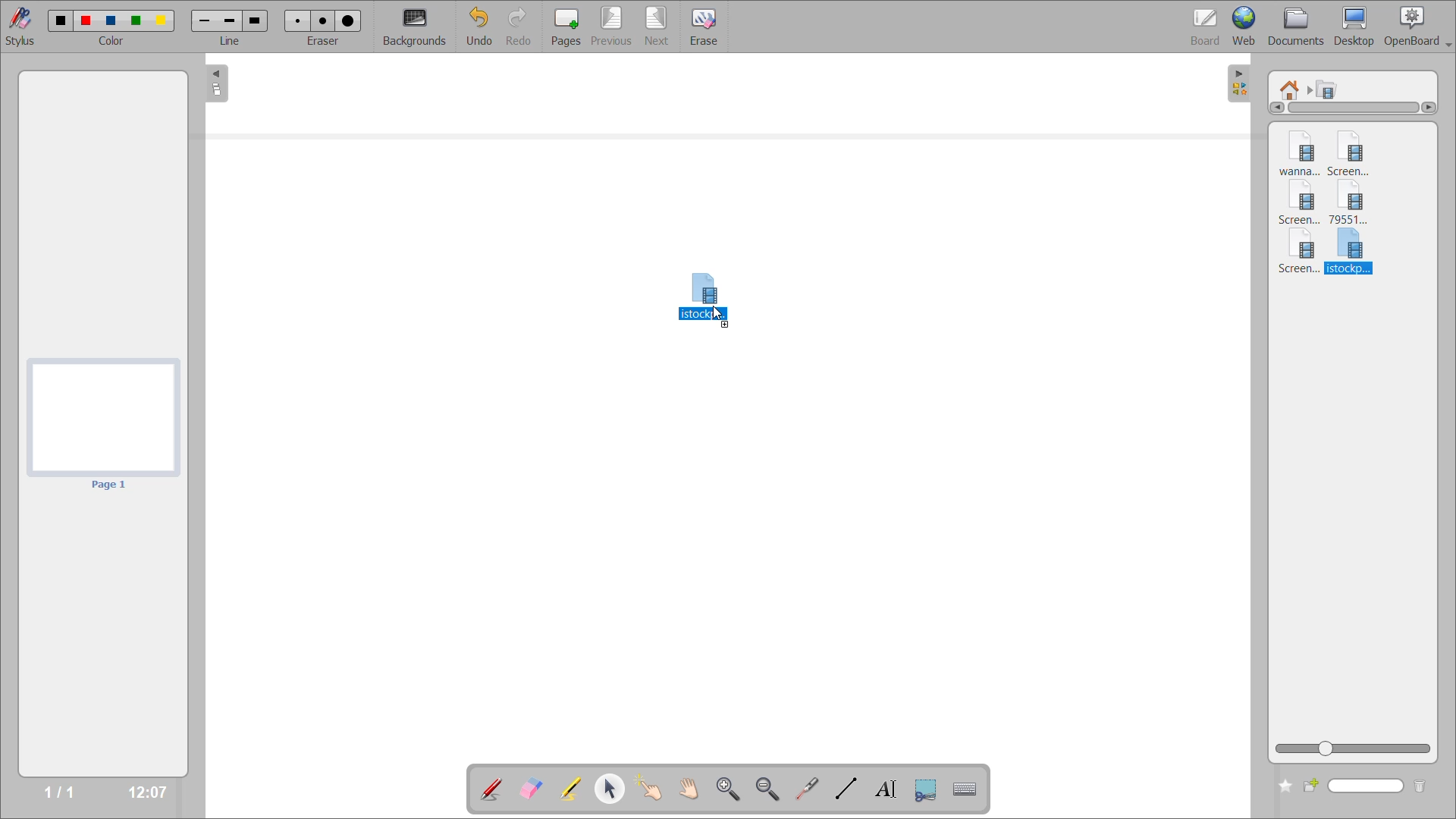 Image resolution: width=1456 pixels, height=819 pixels. Describe the element at coordinates (719, 317) in the screenshot. I see `cursor` at that location.